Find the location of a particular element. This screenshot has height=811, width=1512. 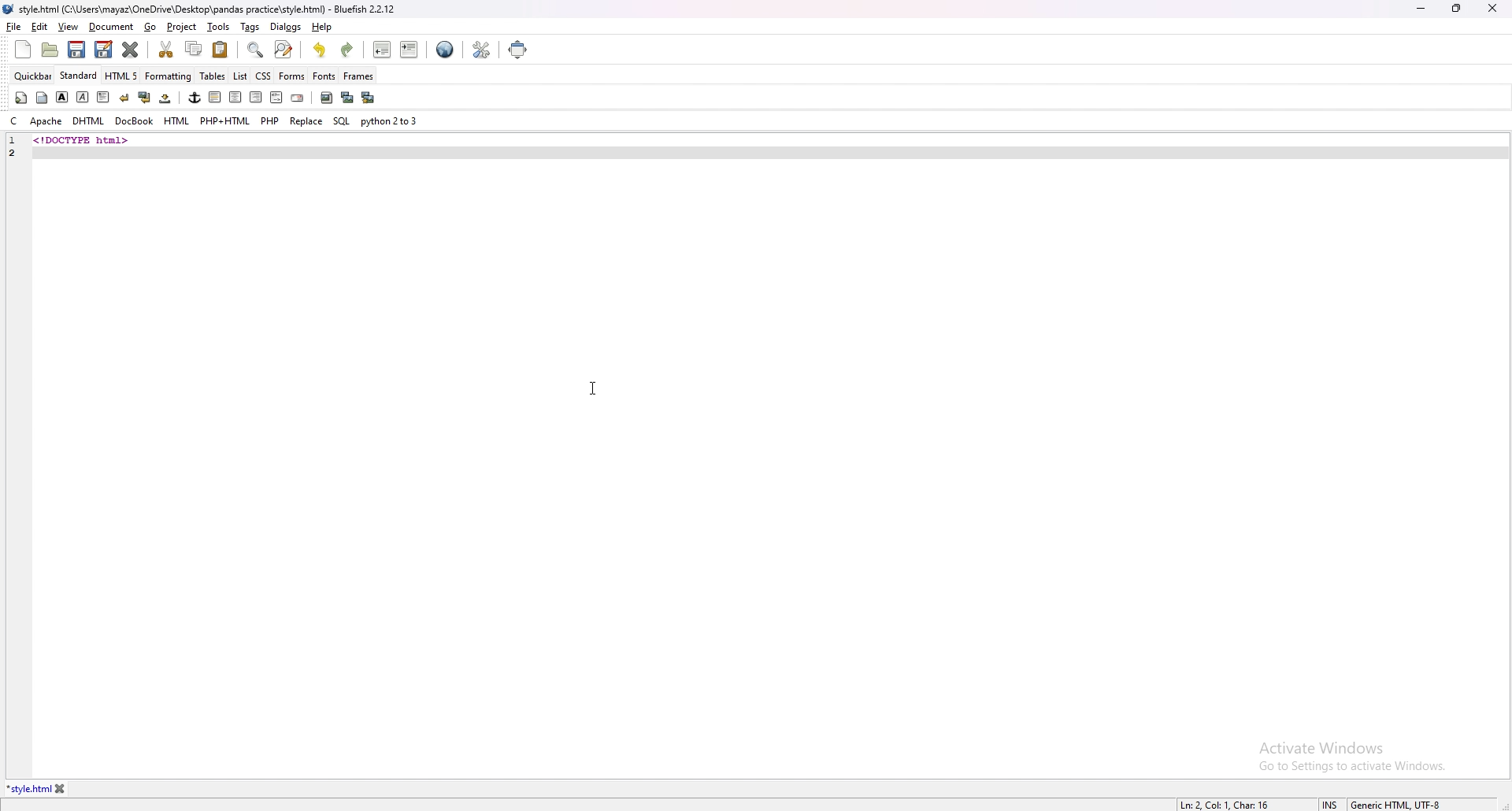

help is located at coordinates (321, 27).